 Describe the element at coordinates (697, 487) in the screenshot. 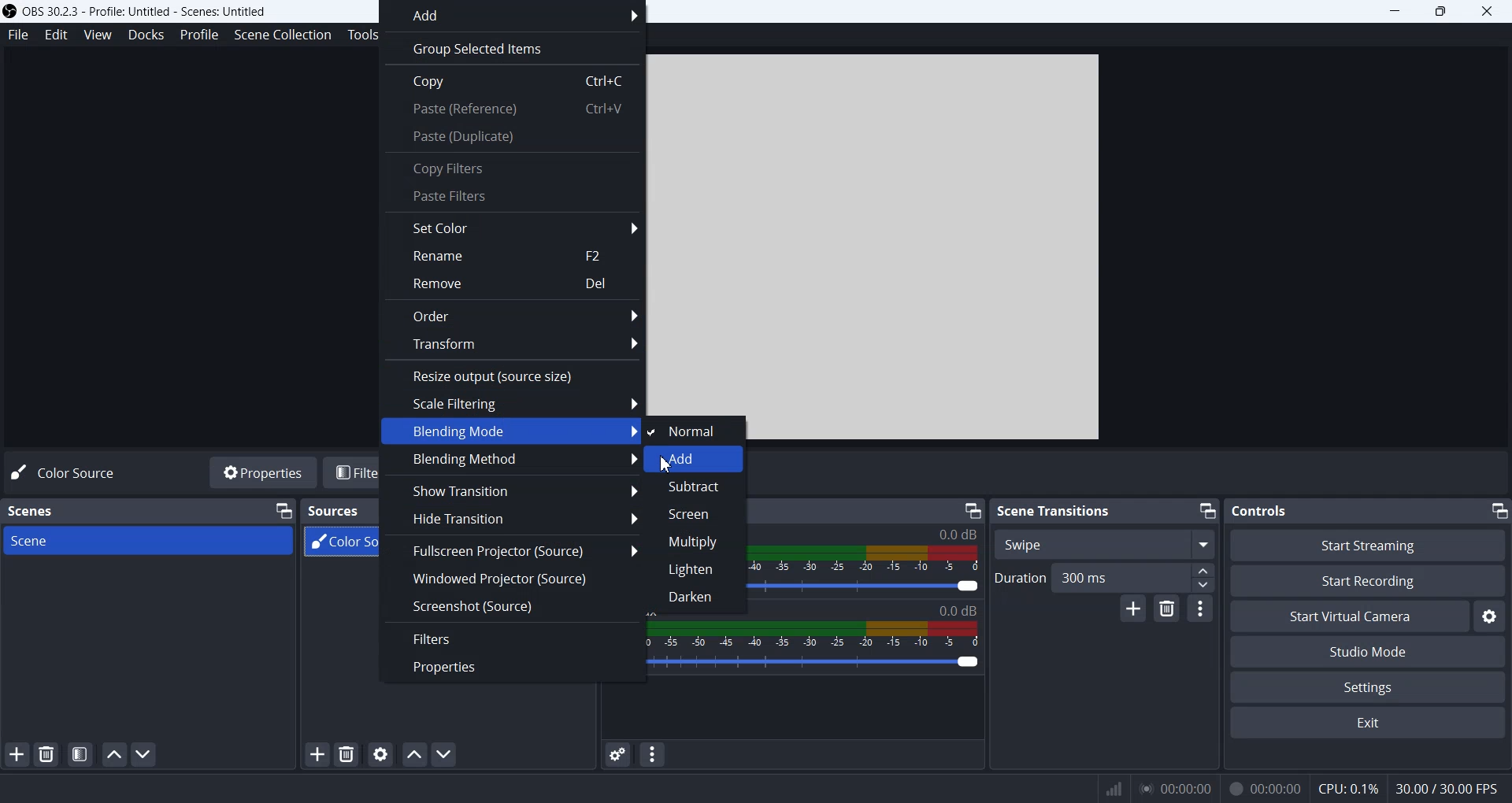

I see `Subtract` at that location.